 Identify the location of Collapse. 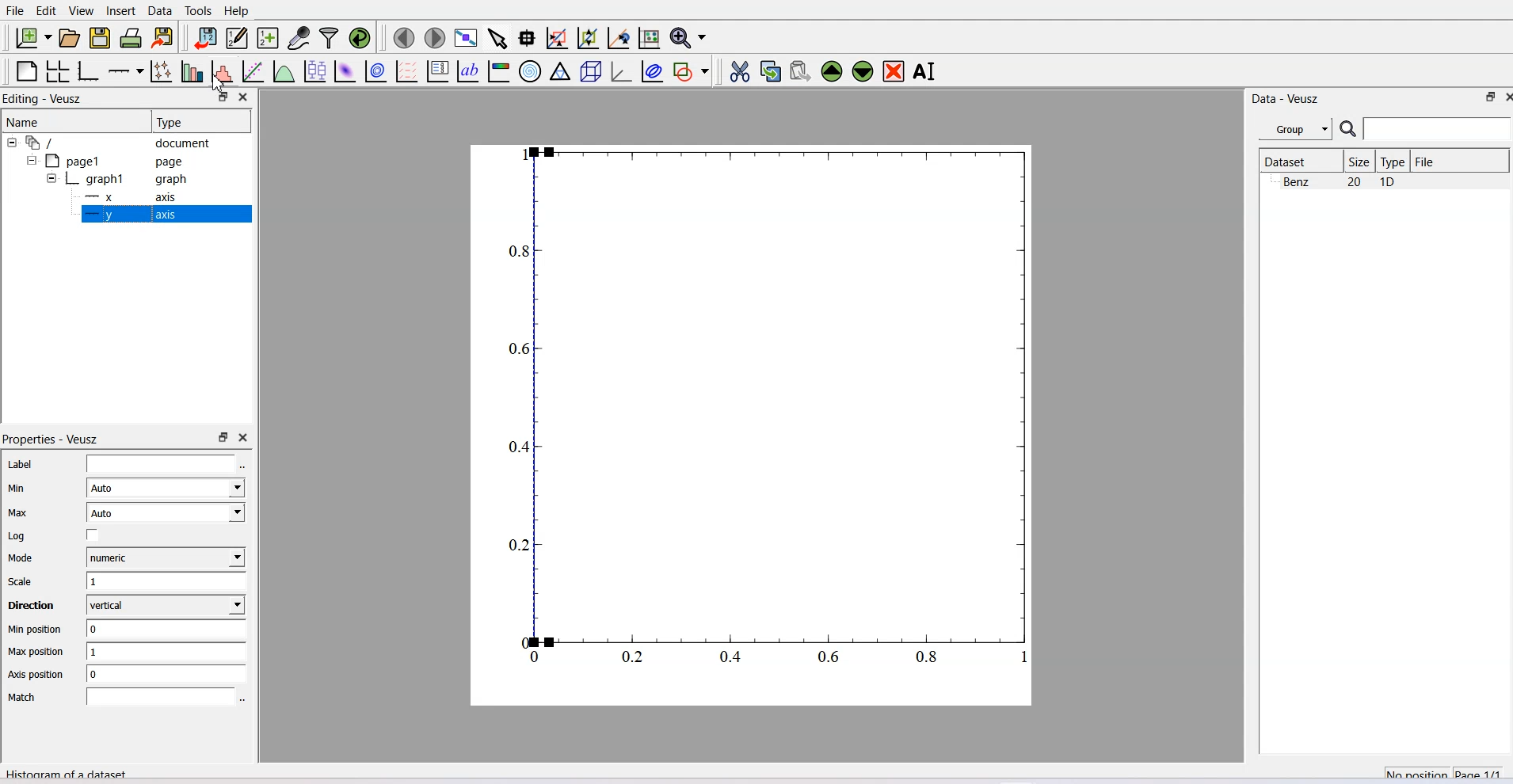
(33, 160).